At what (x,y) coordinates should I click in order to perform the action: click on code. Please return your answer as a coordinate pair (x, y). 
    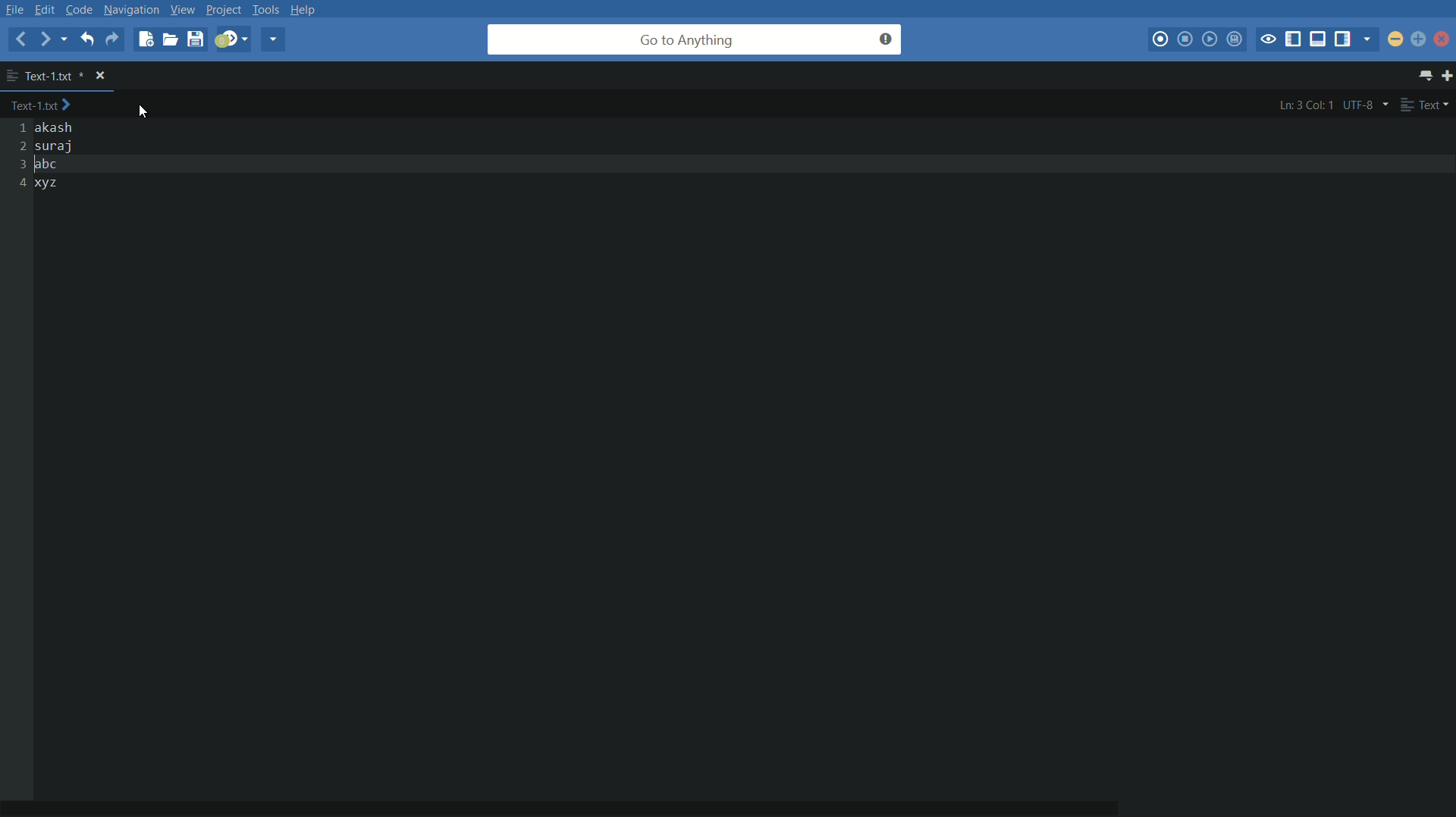
    Looking at the image, I should click on (80, 9).